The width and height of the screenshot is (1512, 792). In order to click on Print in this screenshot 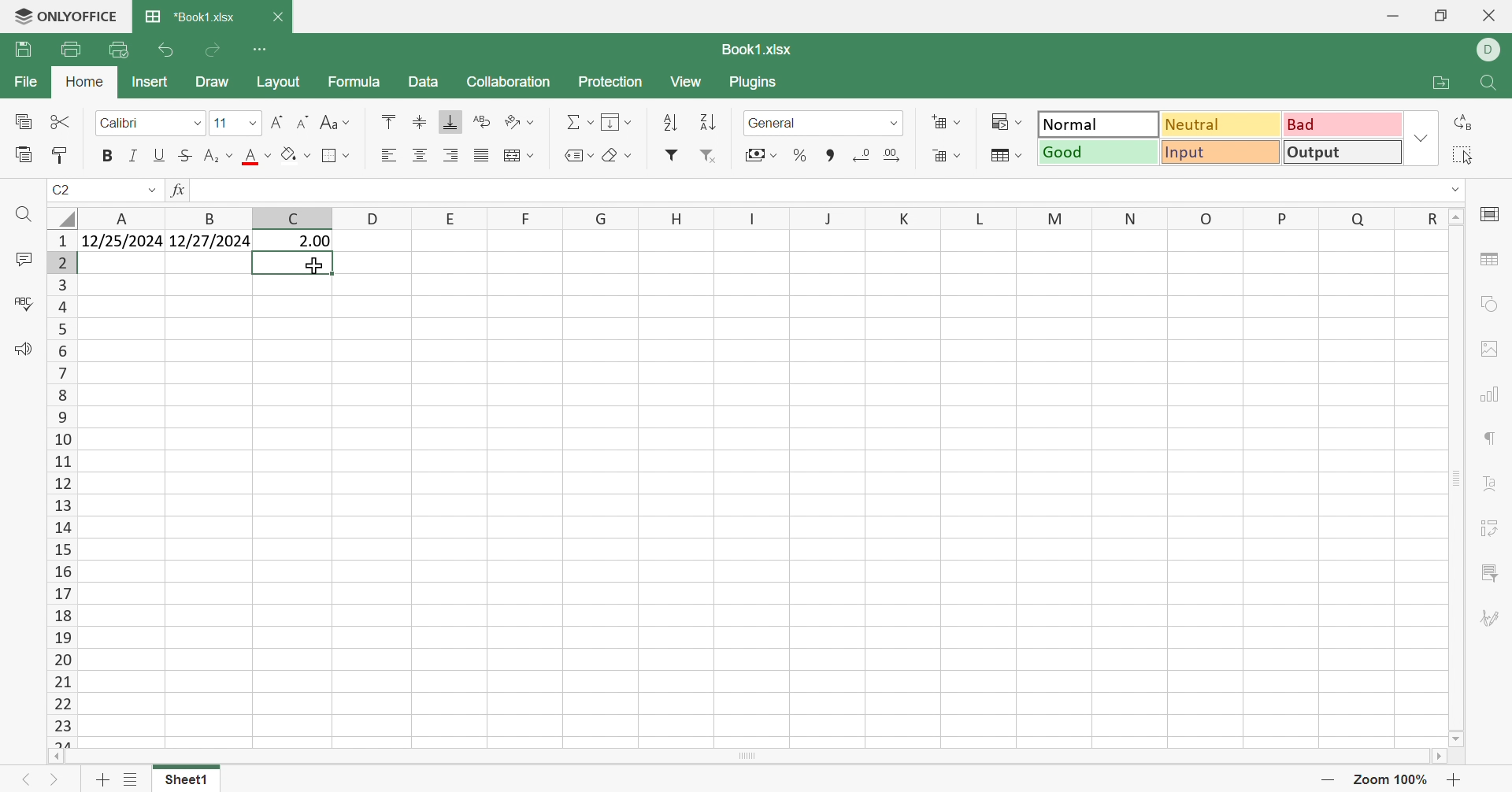, I will do `click(22, 50)`.